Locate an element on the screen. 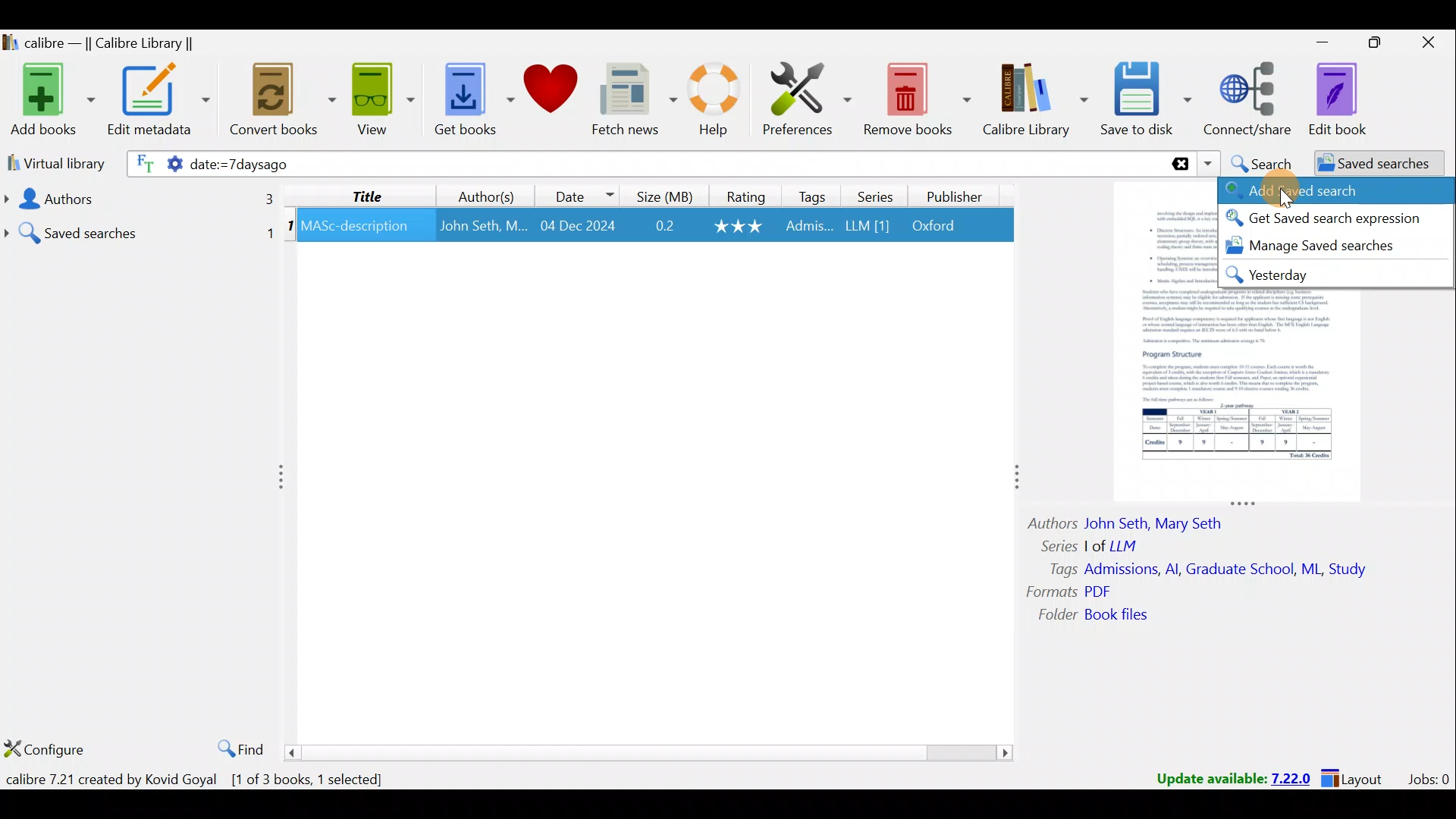 The image size is (1456, 819). 04 Dec 2024 is located at coordinates (578, 227).